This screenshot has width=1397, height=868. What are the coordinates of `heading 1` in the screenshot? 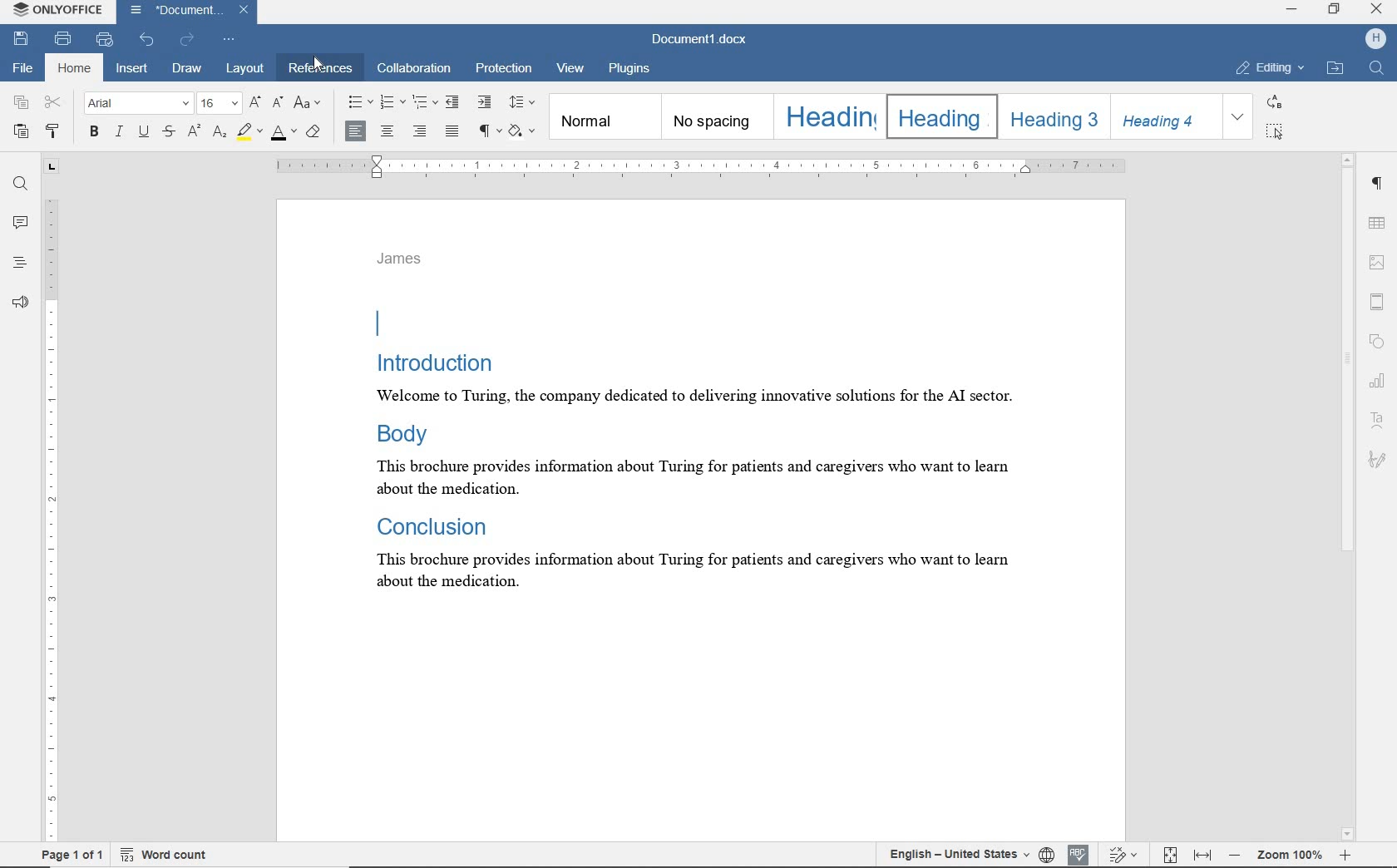 It's located at (828, 118).